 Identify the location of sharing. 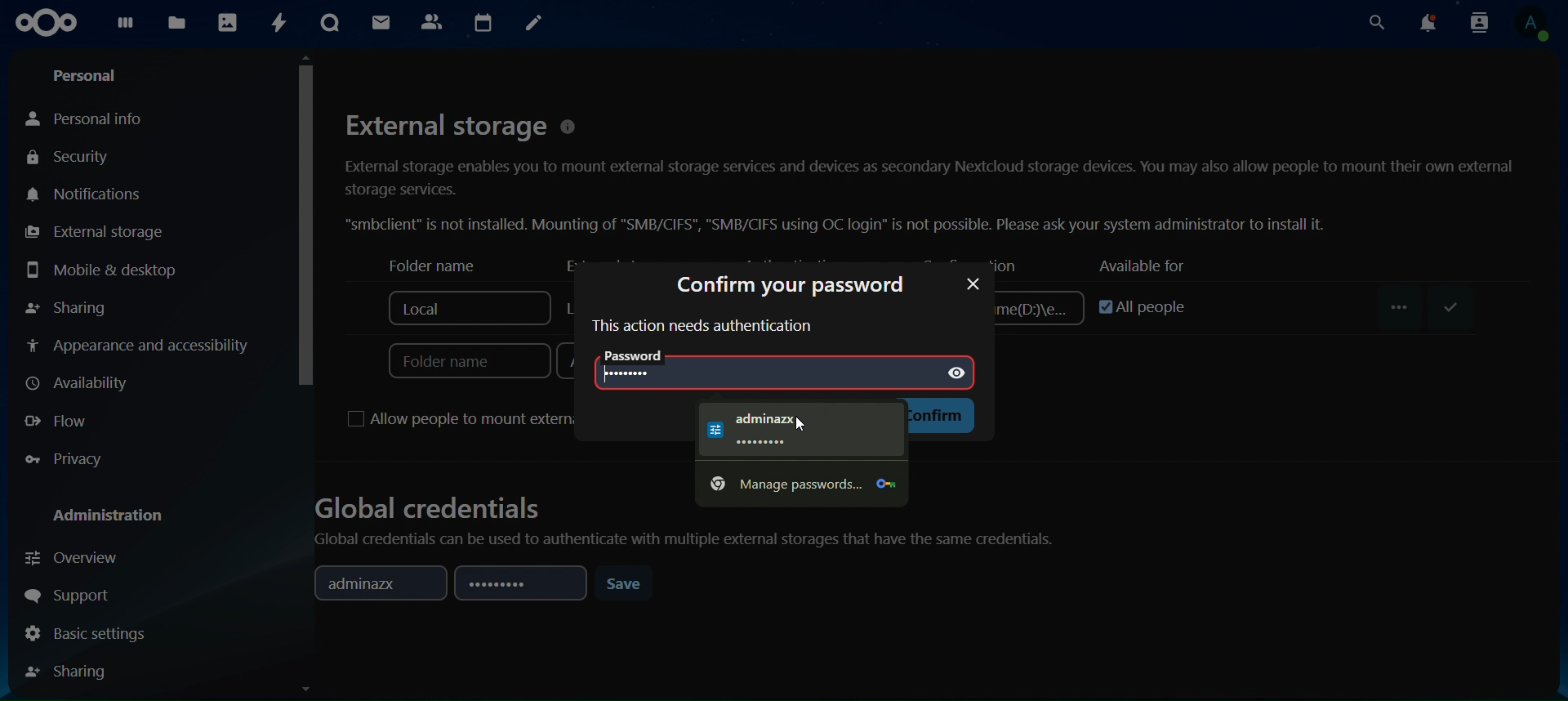
(72, 671).